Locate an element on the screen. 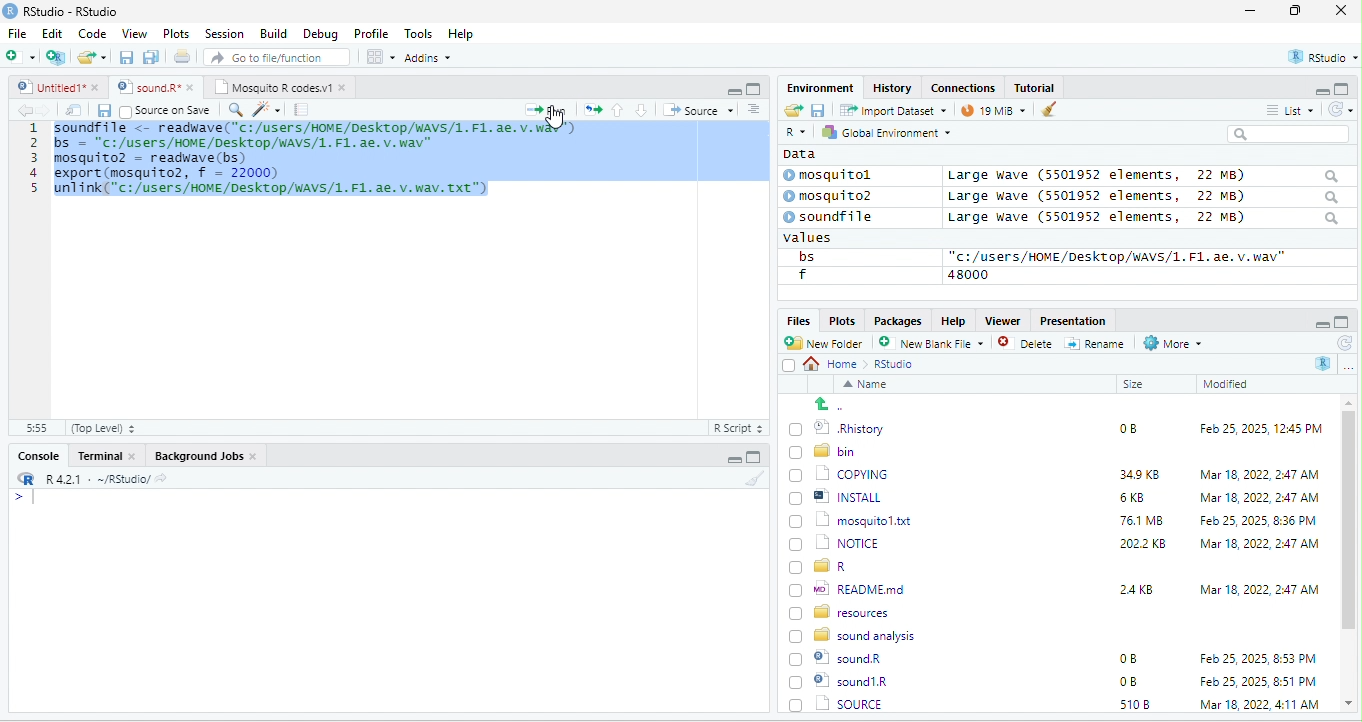 The image size is (1362, 722). Uninstall.exe is located at coordinates (849, 703).